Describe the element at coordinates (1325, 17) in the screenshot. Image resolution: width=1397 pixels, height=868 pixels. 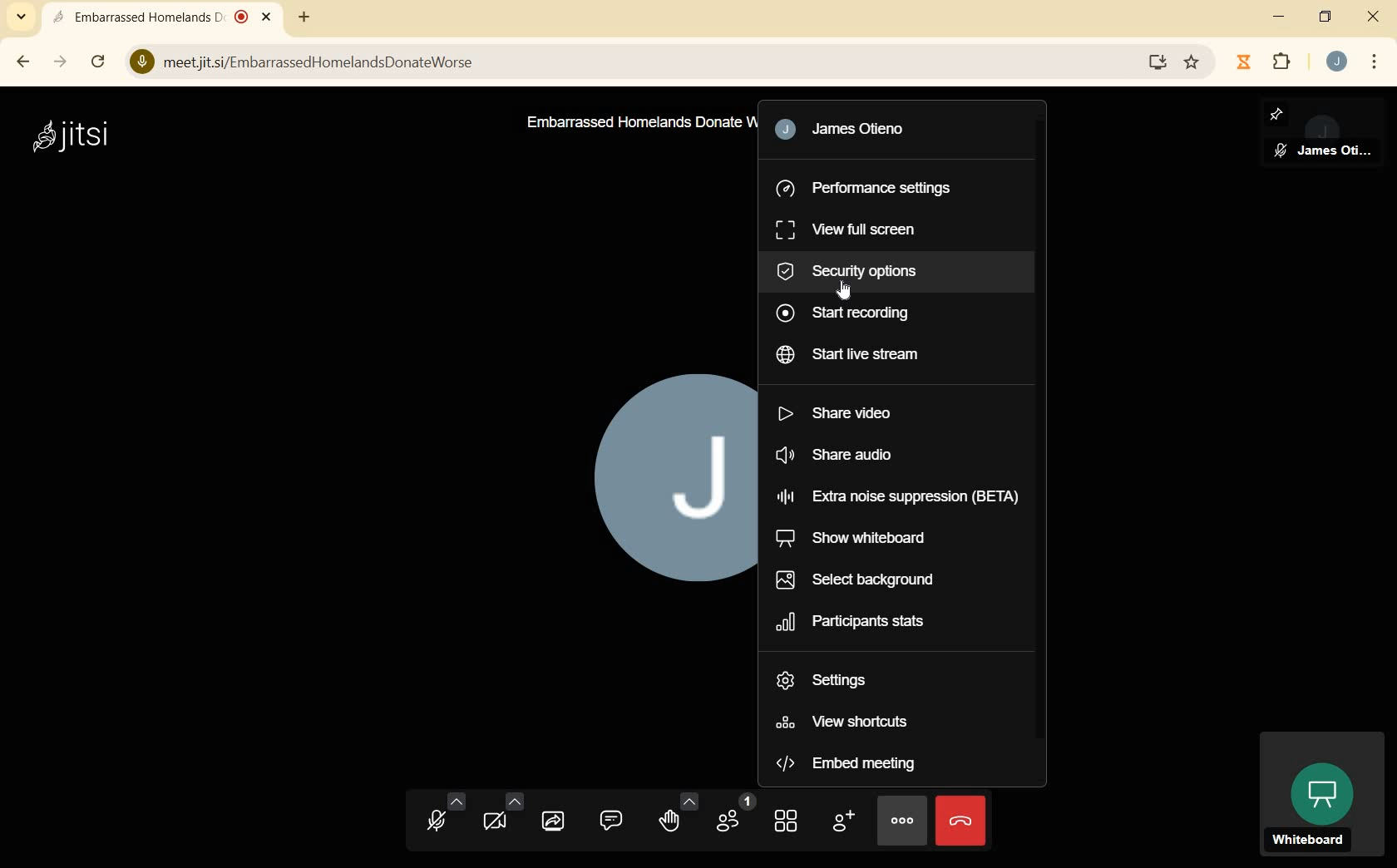
I see `restore down` at that location.